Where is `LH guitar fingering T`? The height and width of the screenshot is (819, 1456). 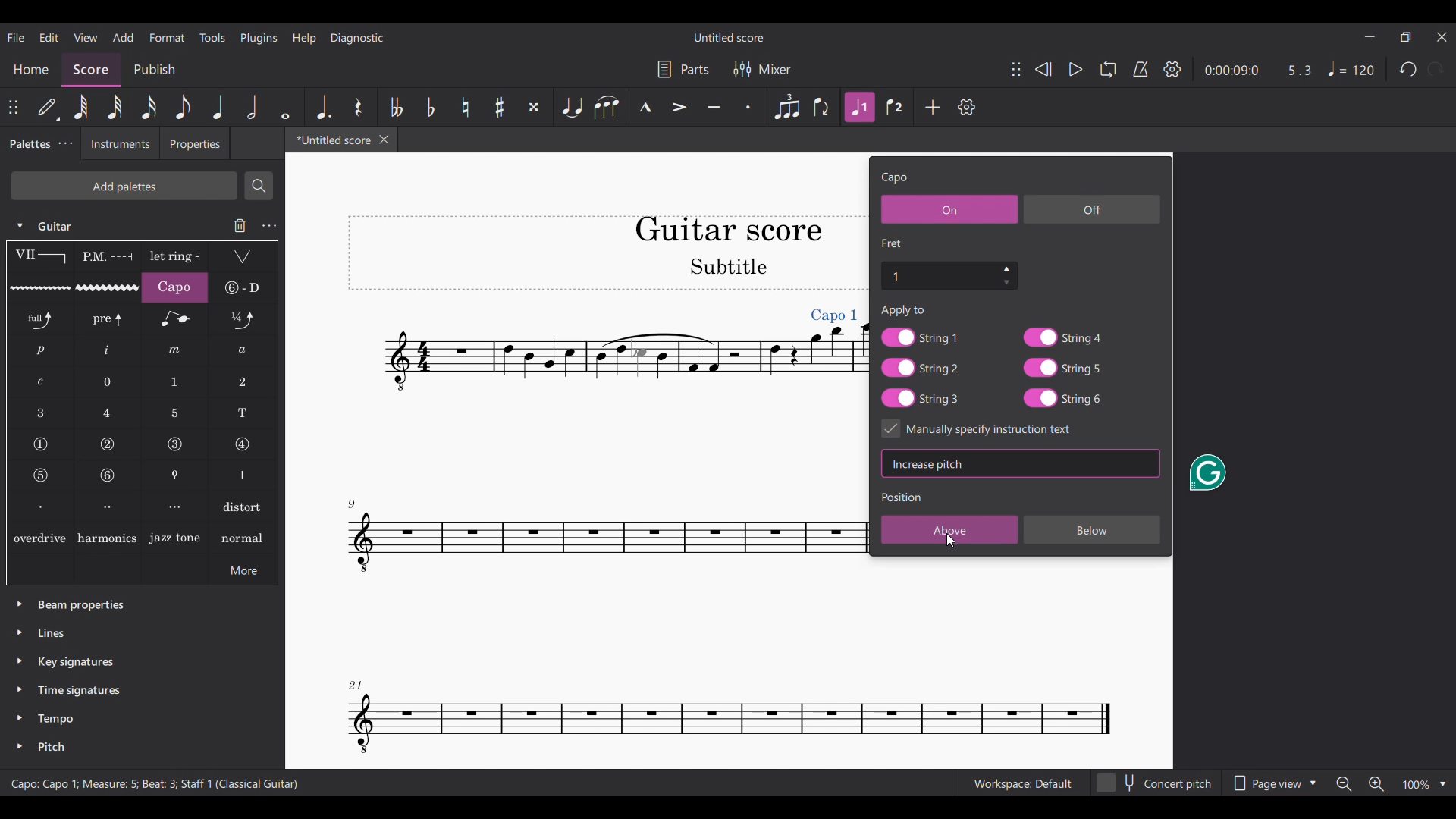
LH guitar fingering T is located at coordinates (243, 413).